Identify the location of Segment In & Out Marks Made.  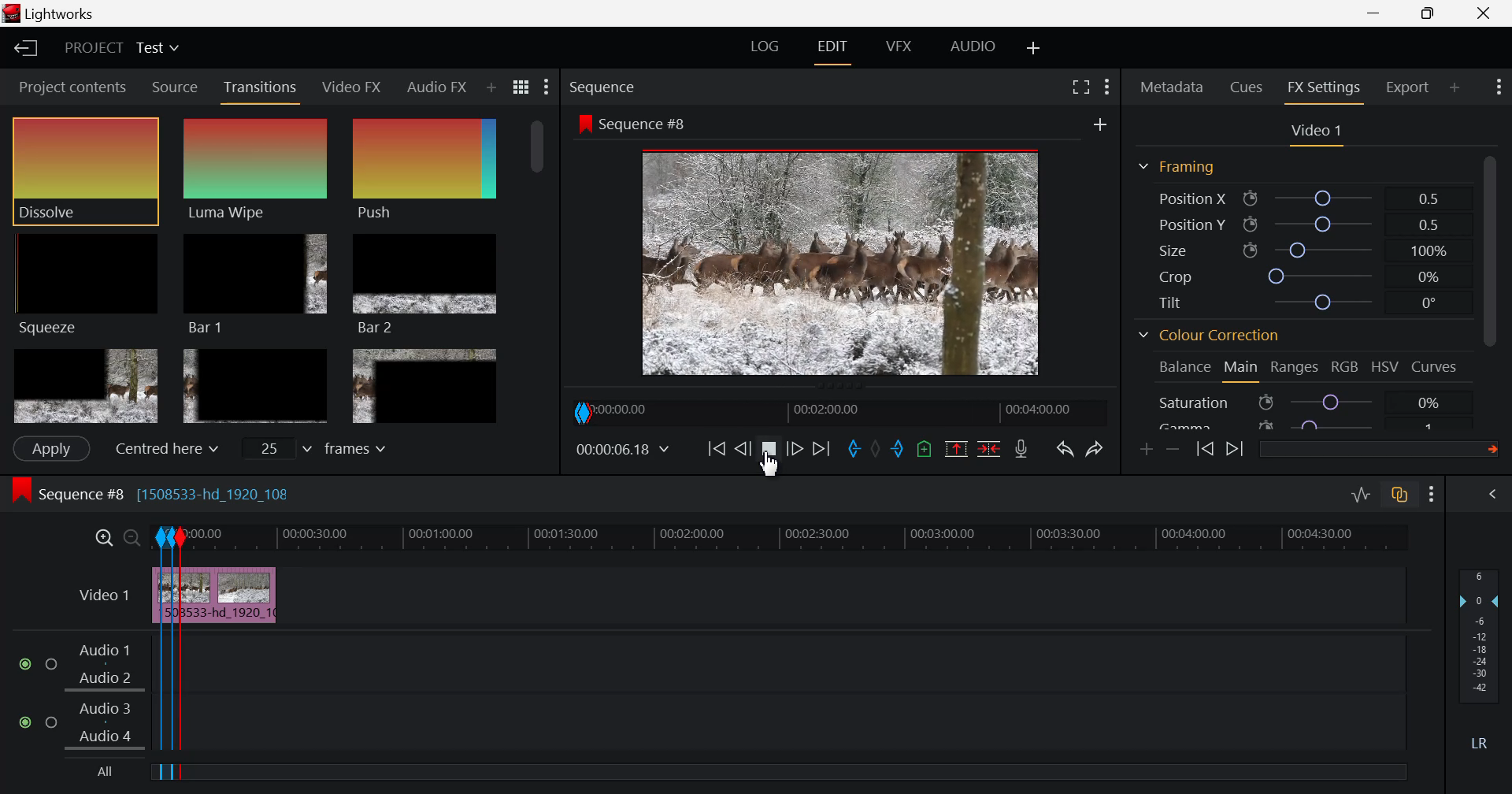
(165, 639).